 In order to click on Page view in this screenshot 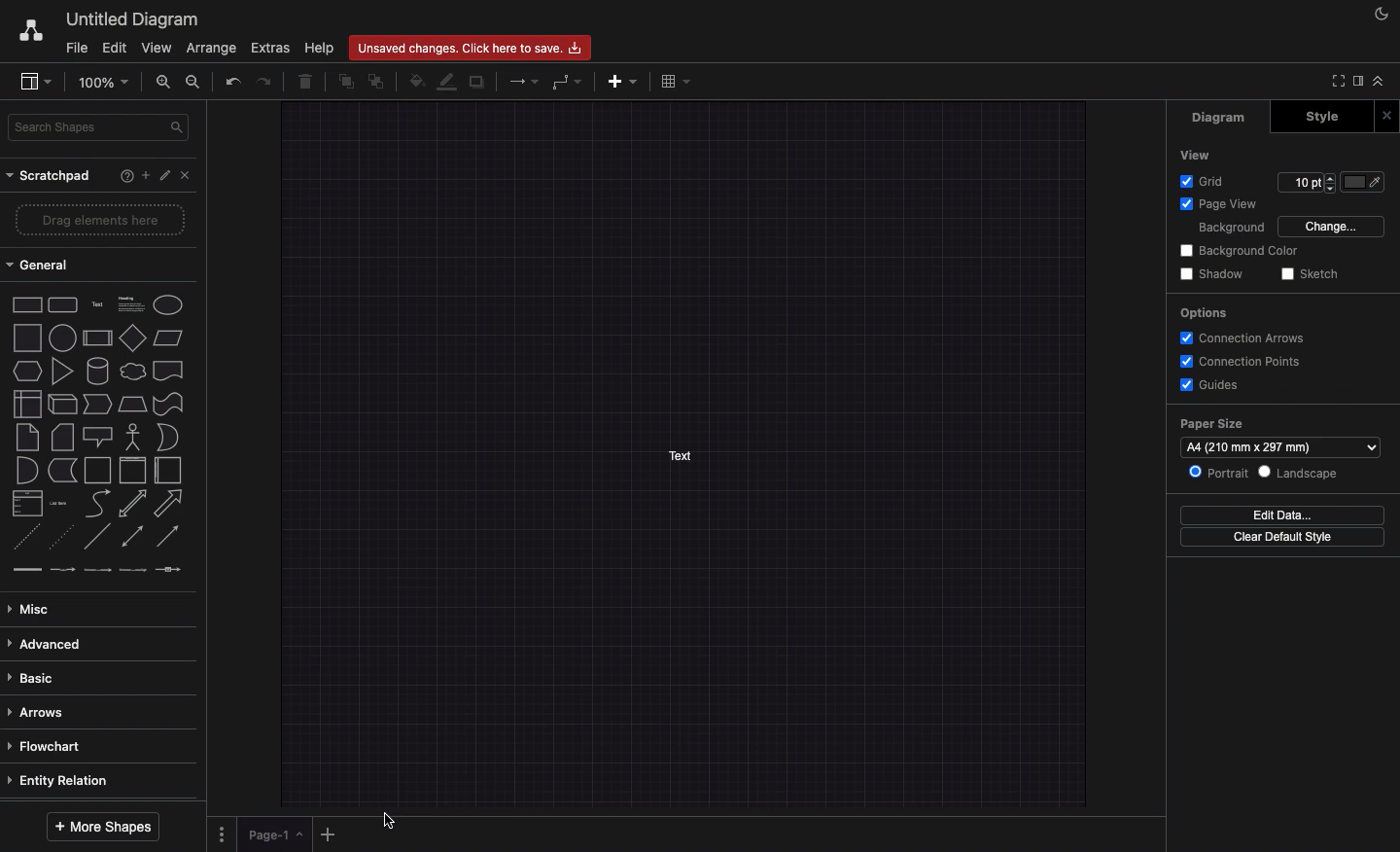, I will do `click(1220, 204)`.